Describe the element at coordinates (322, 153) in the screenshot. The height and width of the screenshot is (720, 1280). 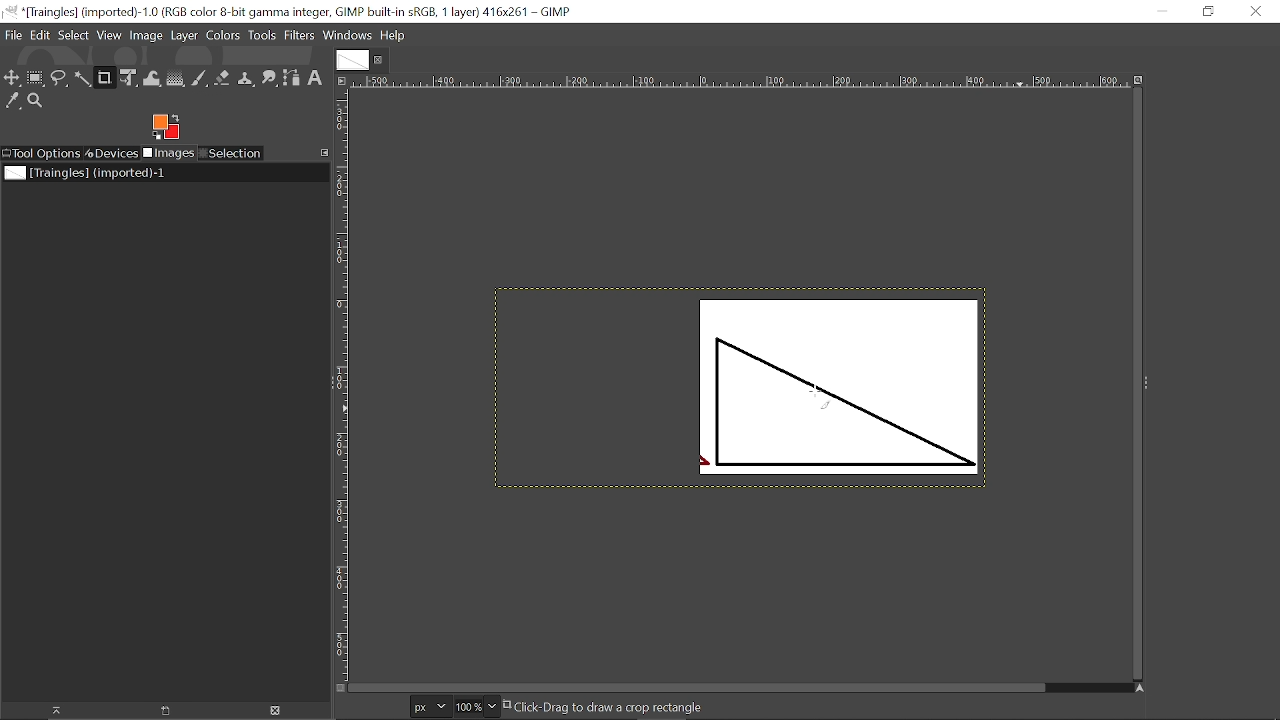
I see `Configure this tab` at that location.